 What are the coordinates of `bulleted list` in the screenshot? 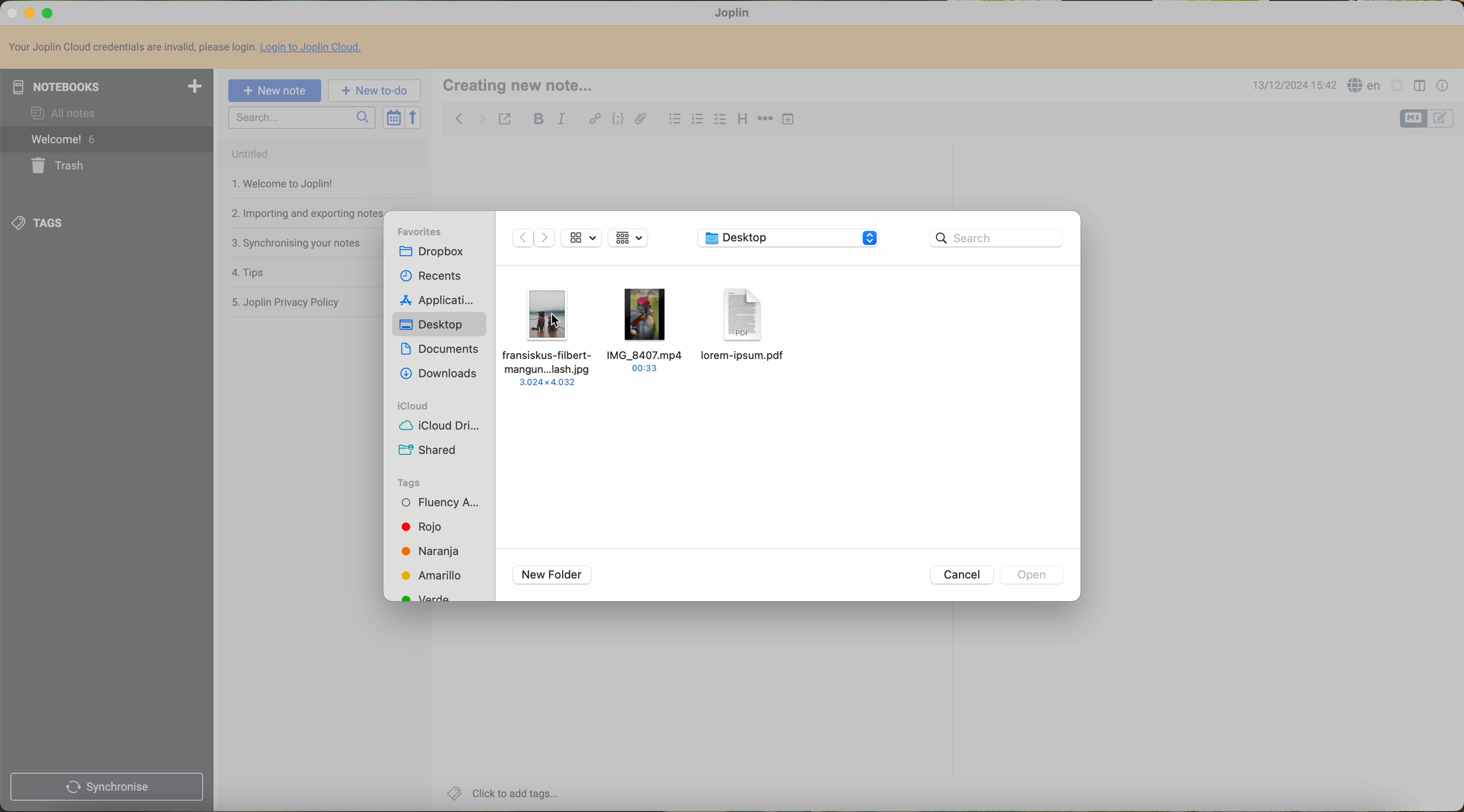 It's located at (675, 121).